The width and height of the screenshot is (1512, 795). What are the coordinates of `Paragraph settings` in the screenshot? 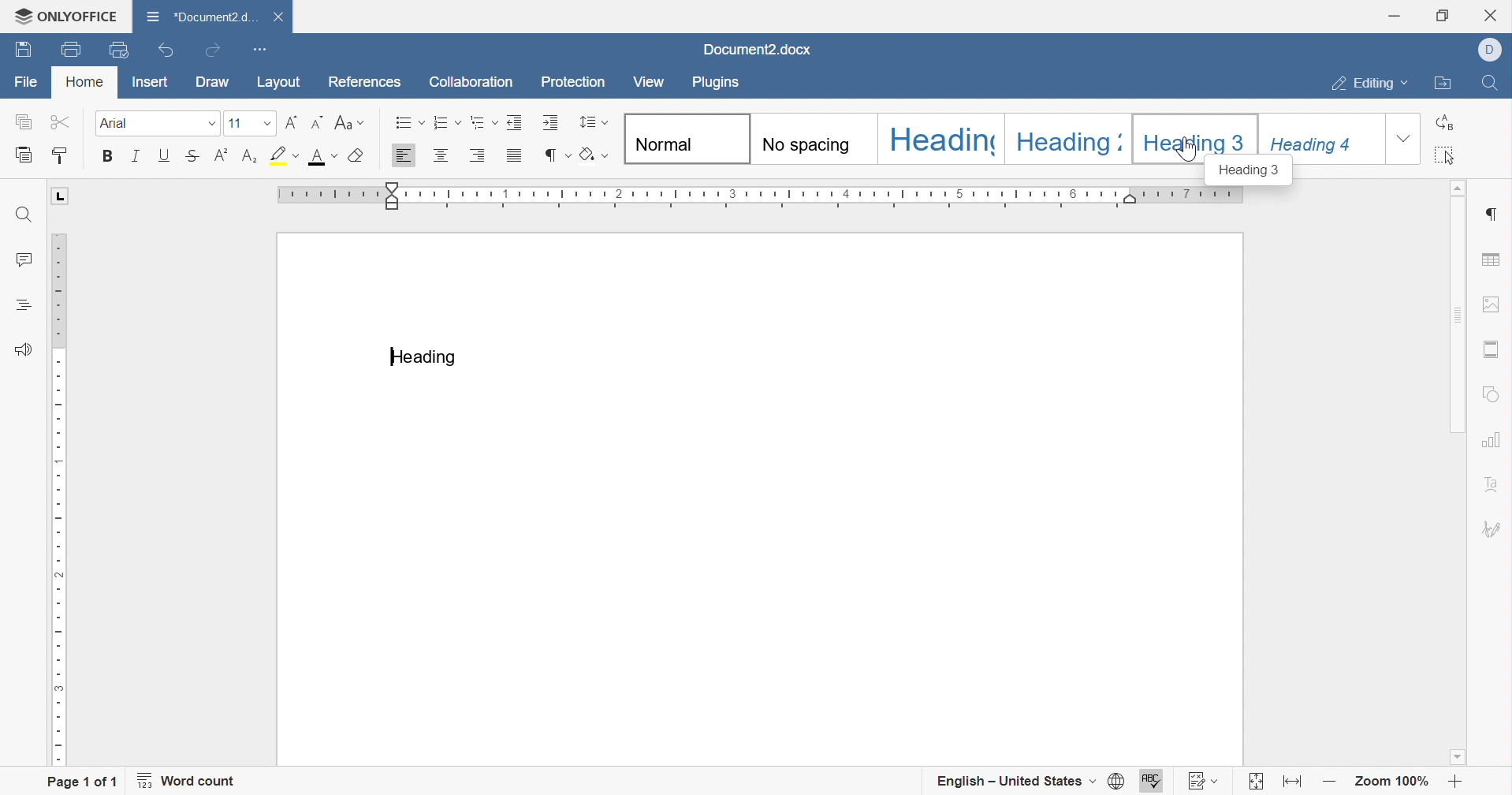 It's located at (1495, 214).